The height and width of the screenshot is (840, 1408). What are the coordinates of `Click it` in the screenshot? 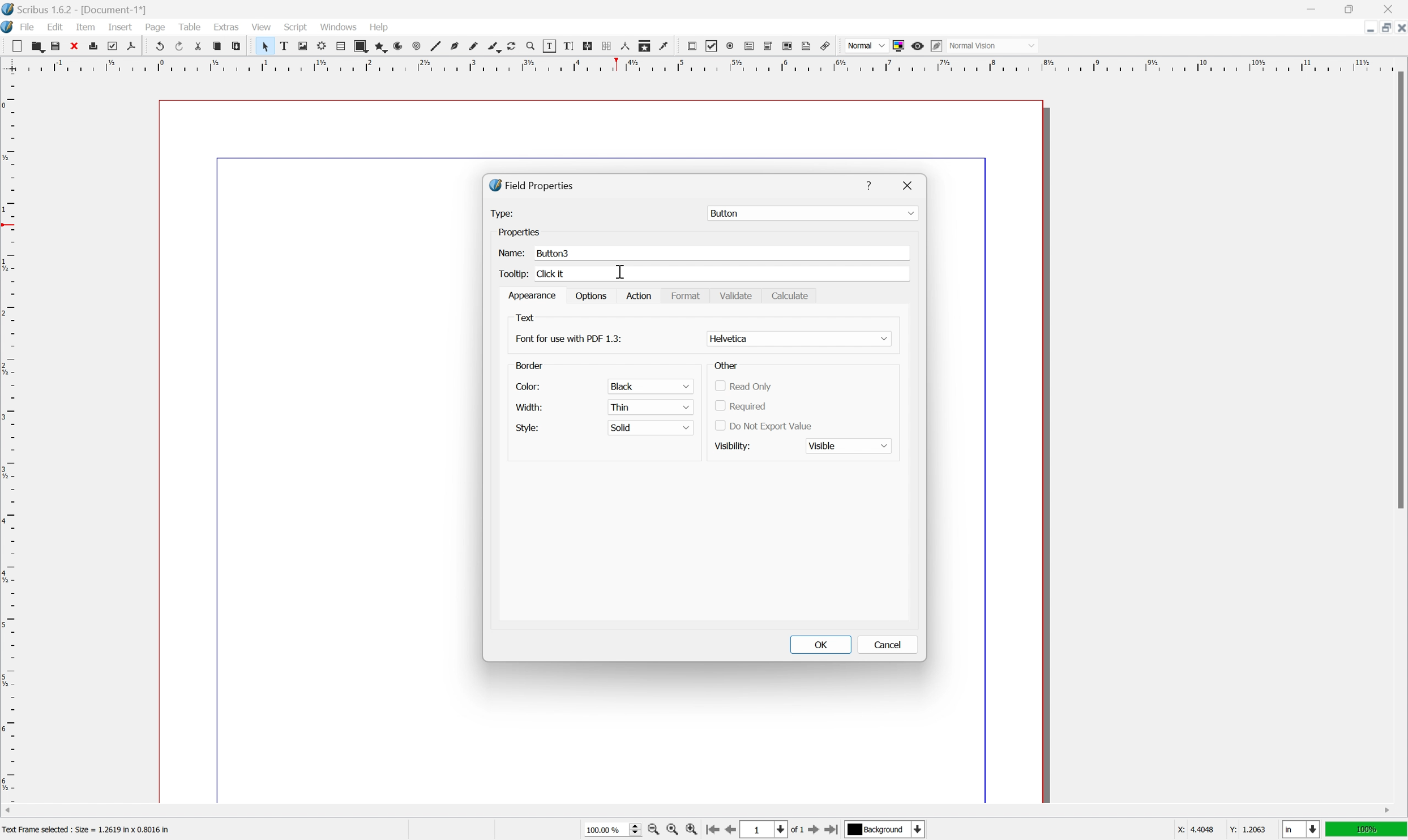 It's located at (563, 271).